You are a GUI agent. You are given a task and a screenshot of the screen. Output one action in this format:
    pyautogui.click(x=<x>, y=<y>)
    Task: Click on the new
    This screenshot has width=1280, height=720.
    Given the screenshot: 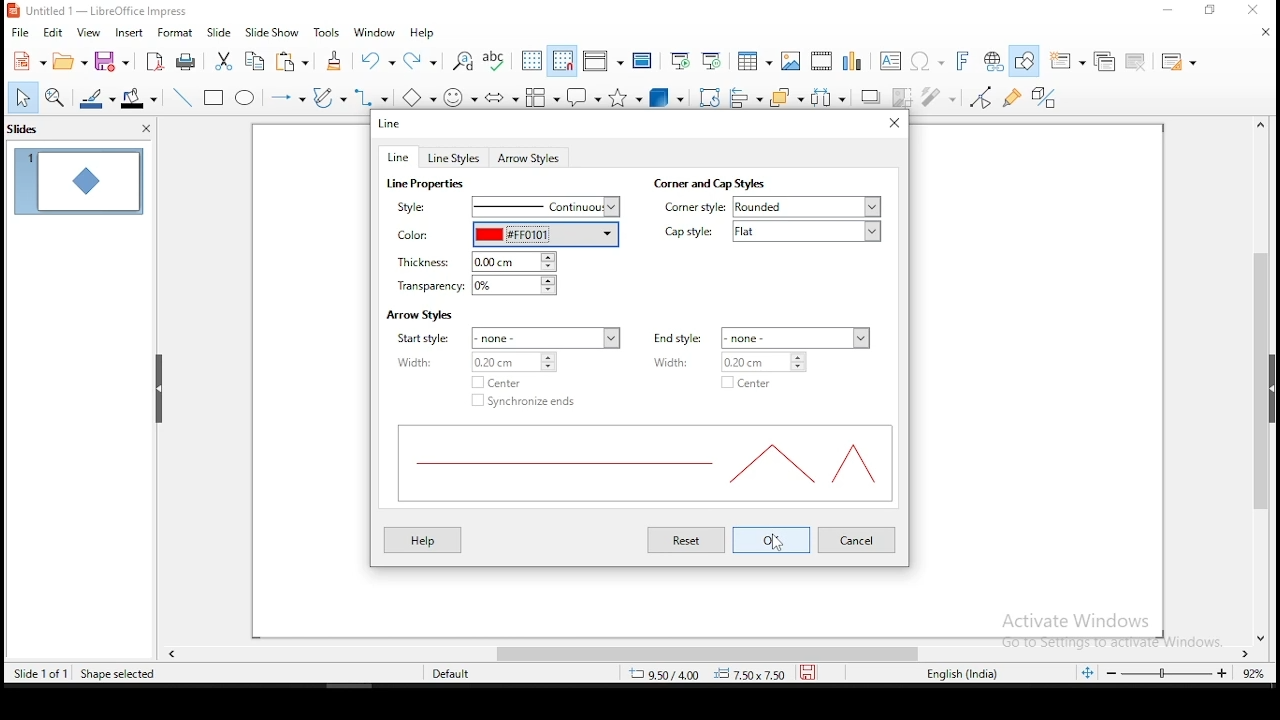 What is the action you would take?
    pyautogui.click(x=25, y=61)
    